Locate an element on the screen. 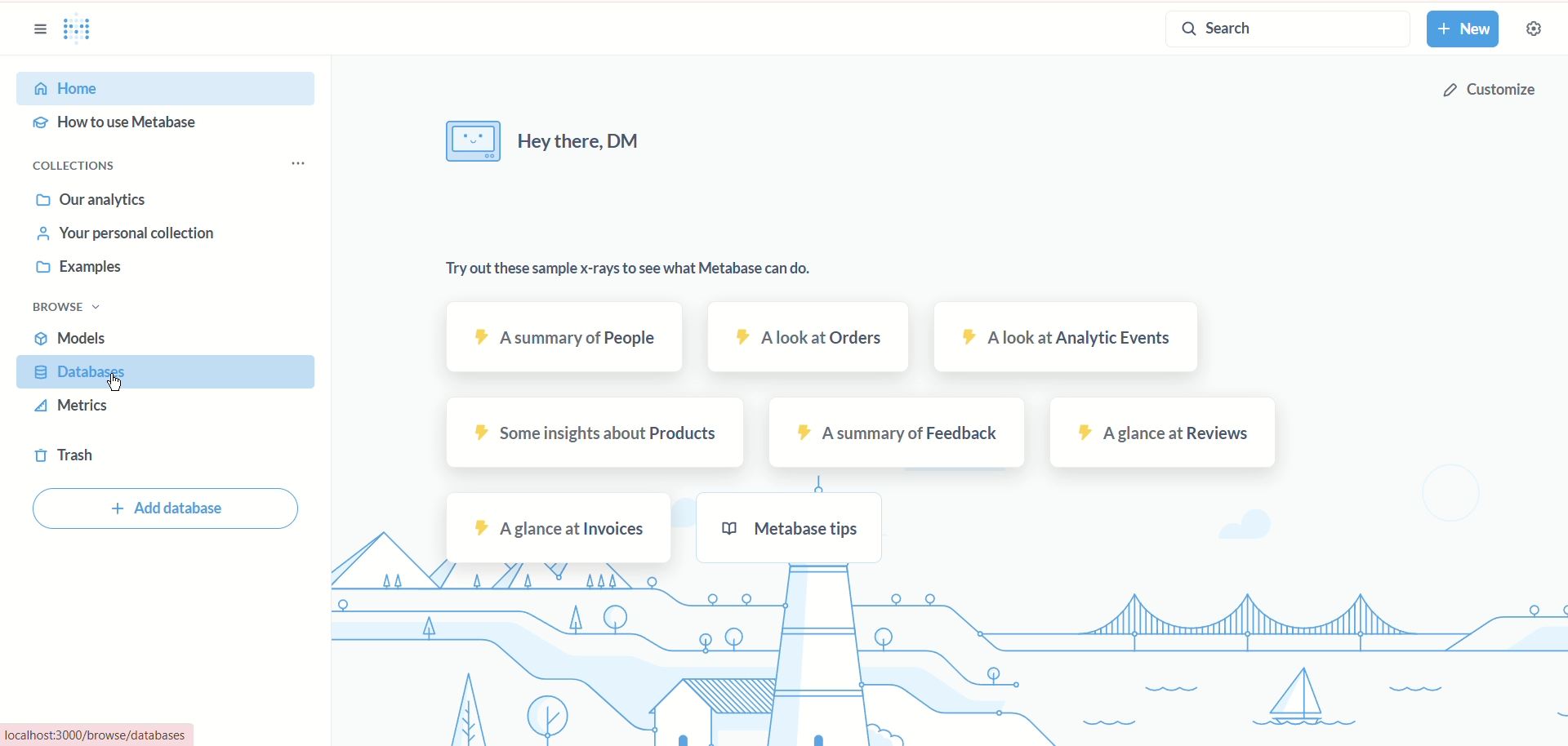  how to use metabase is located at coordinates (114, 123).